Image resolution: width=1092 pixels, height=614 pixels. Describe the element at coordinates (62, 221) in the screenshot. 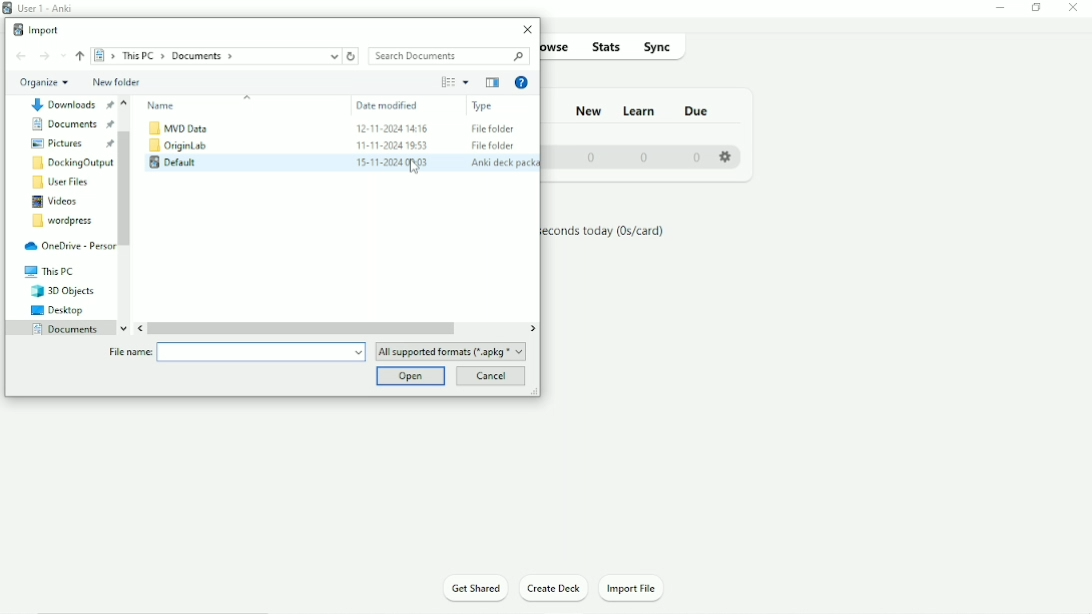

I see `Wordpress` at that location.